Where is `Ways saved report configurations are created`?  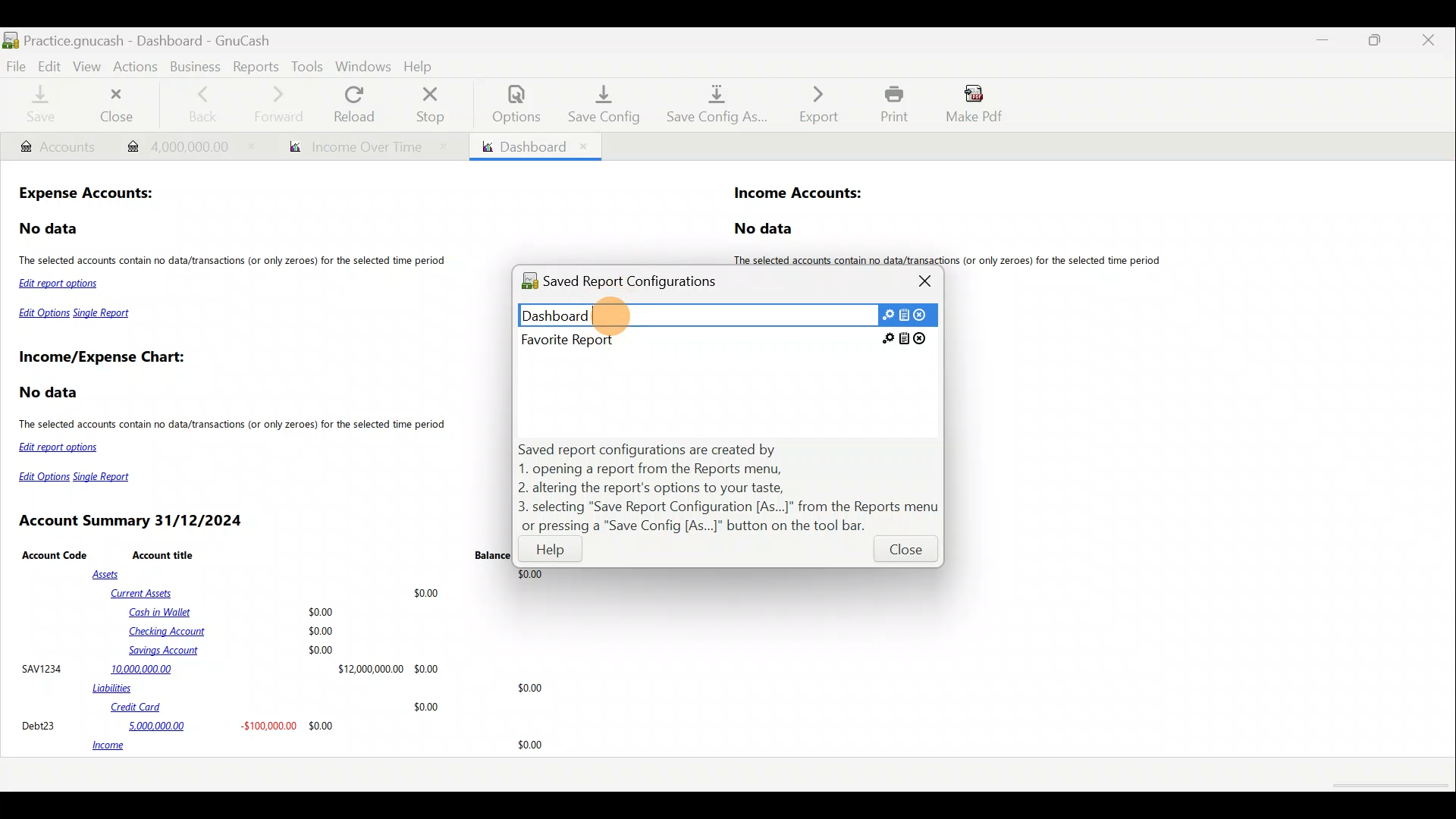
Ways saved report configurations are created is located at coordinates (730, 488).